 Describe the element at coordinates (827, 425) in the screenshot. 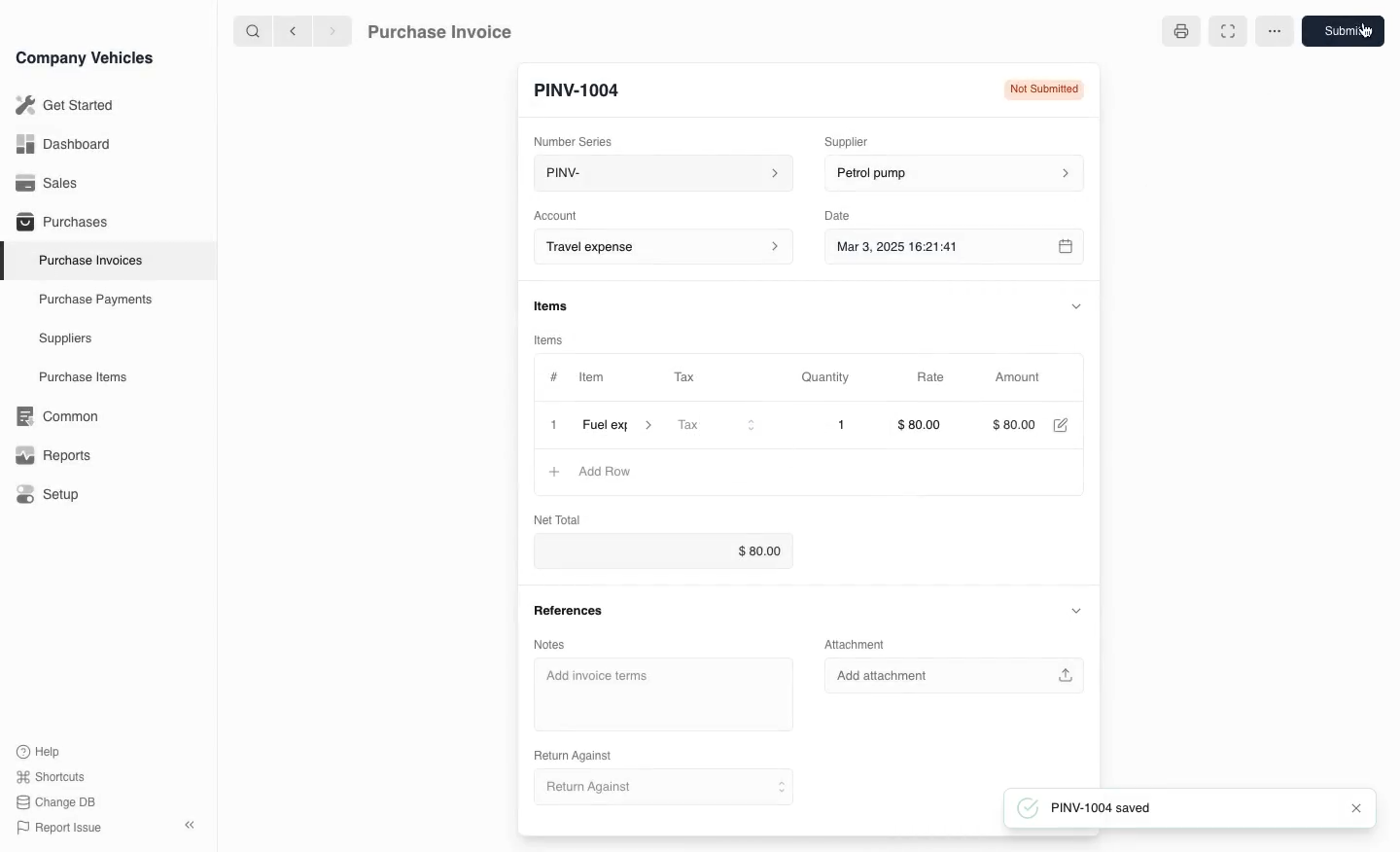

I see `1` at that location.